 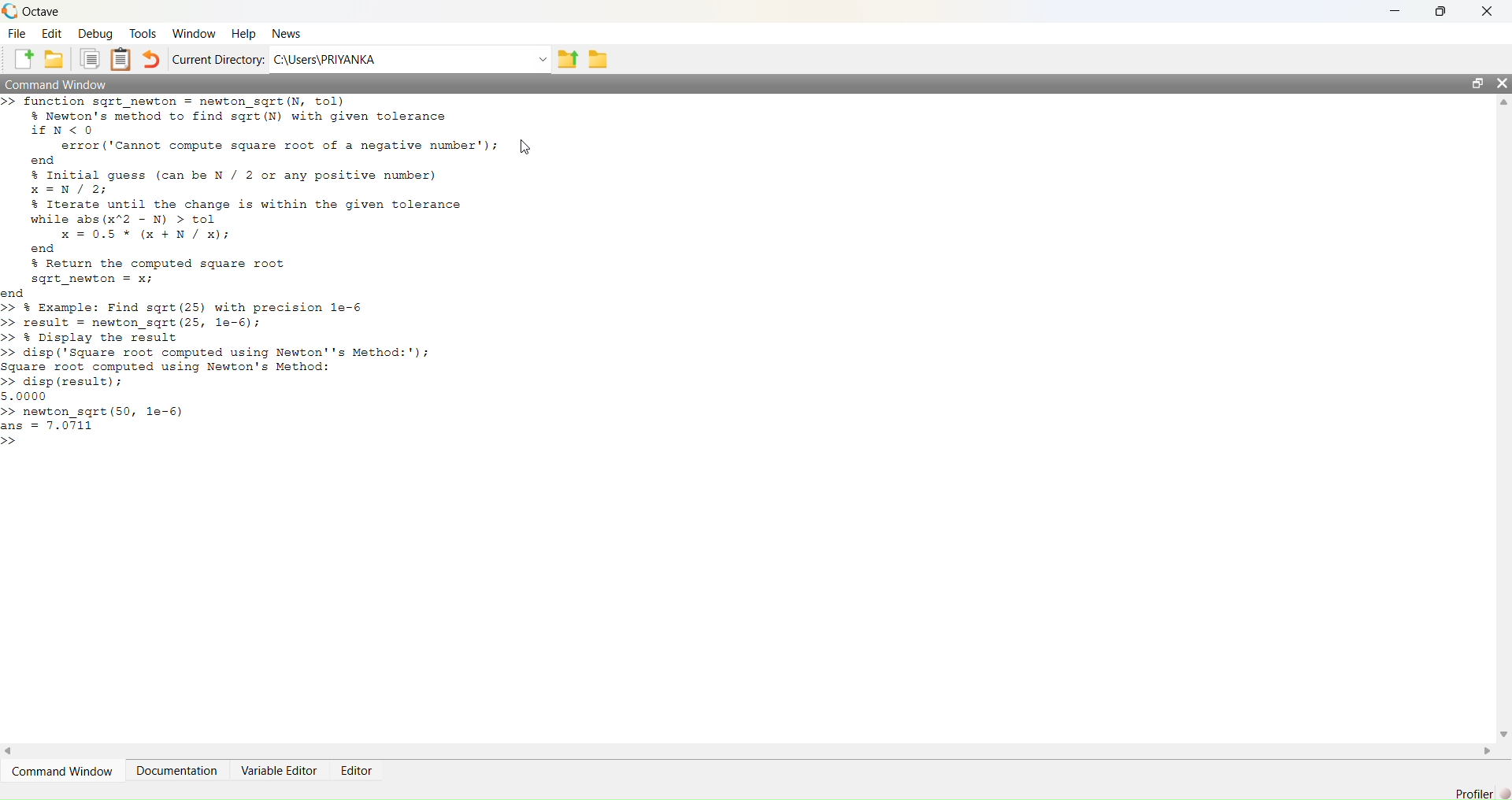 I want to click on Up, so click(x=1502, y=103).